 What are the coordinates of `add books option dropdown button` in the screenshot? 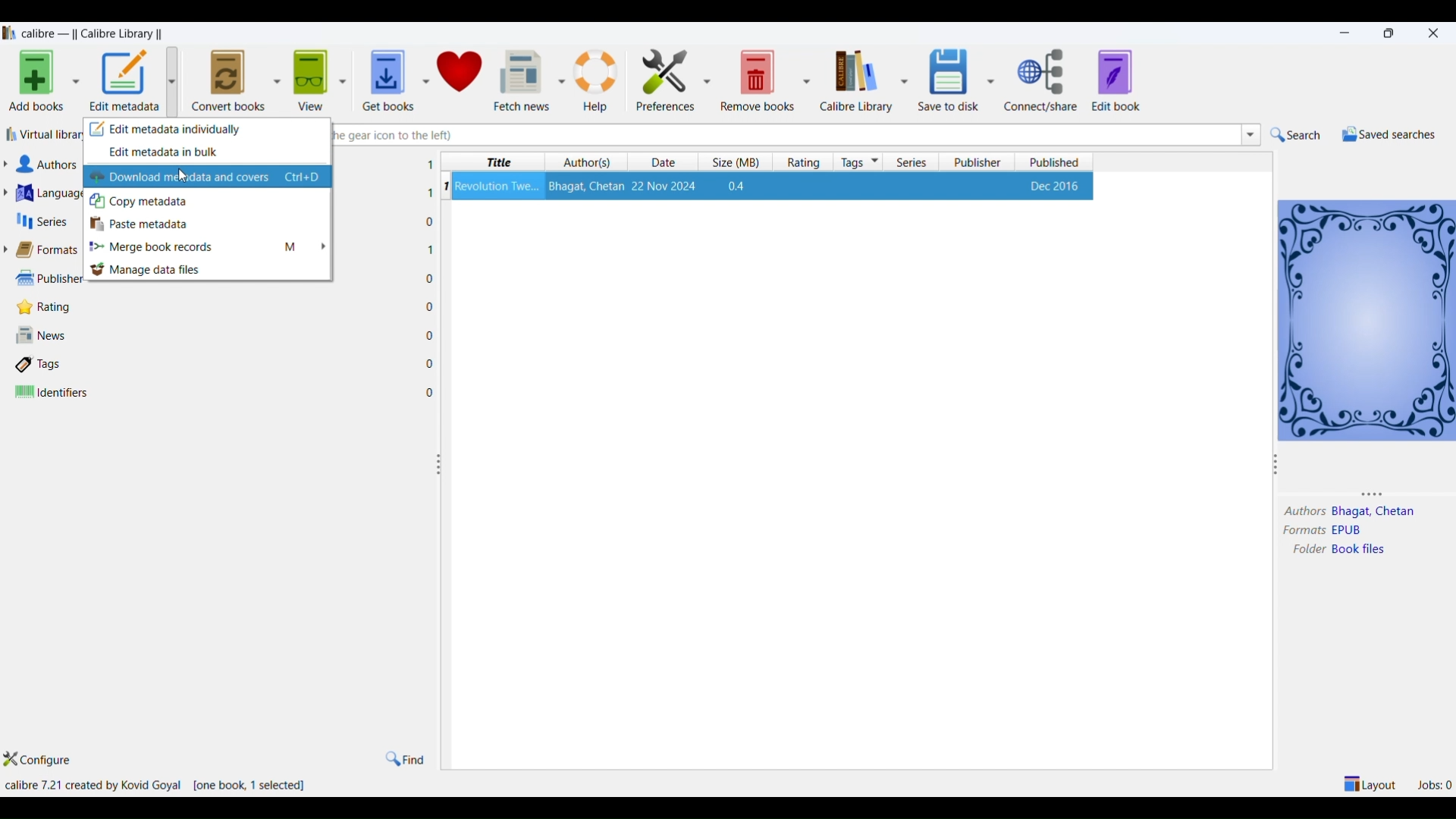 It's located at (76, 83).